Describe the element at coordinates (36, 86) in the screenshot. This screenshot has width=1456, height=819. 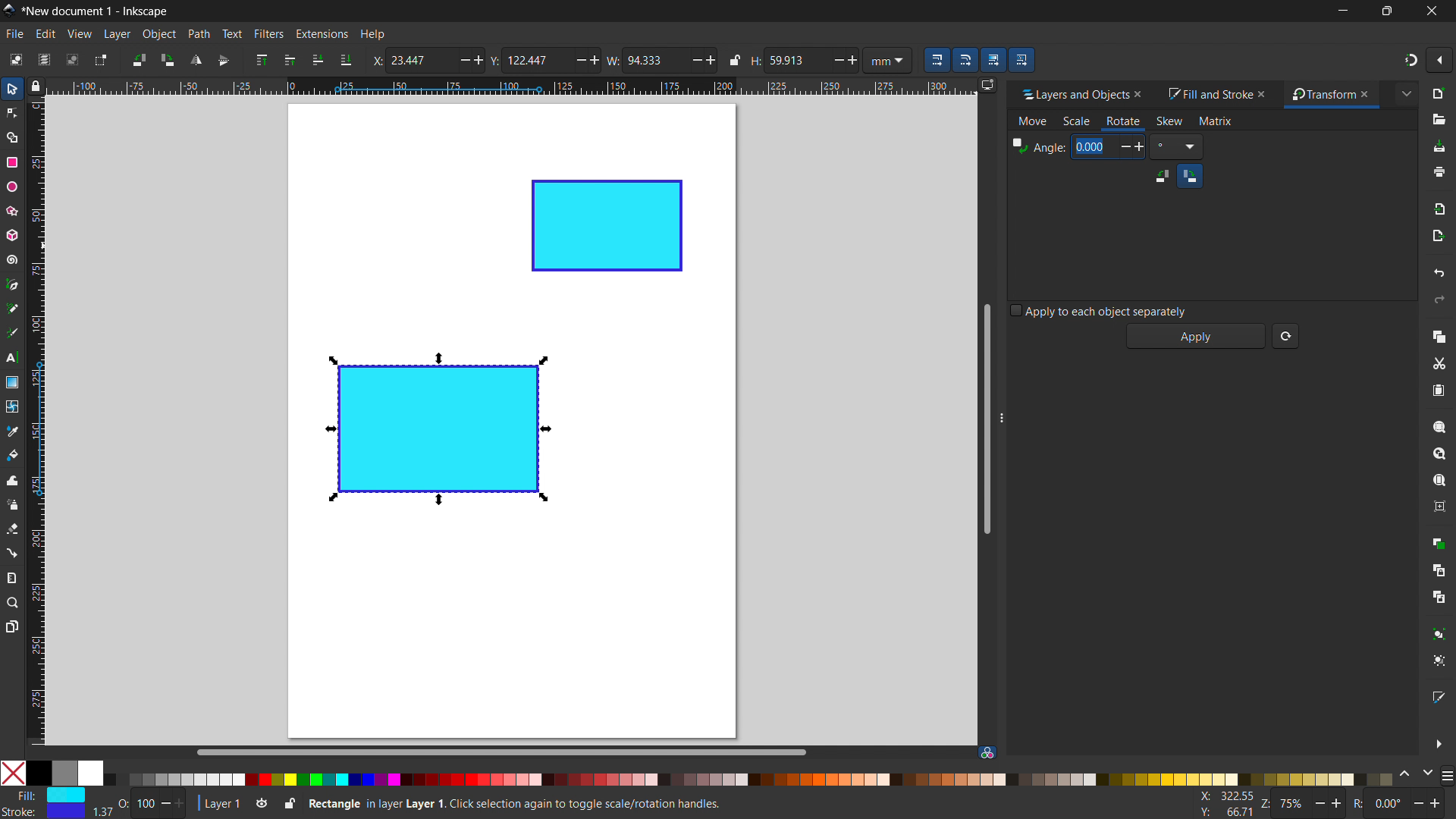
I see `toggle lock of all guuides in the document` at that location.